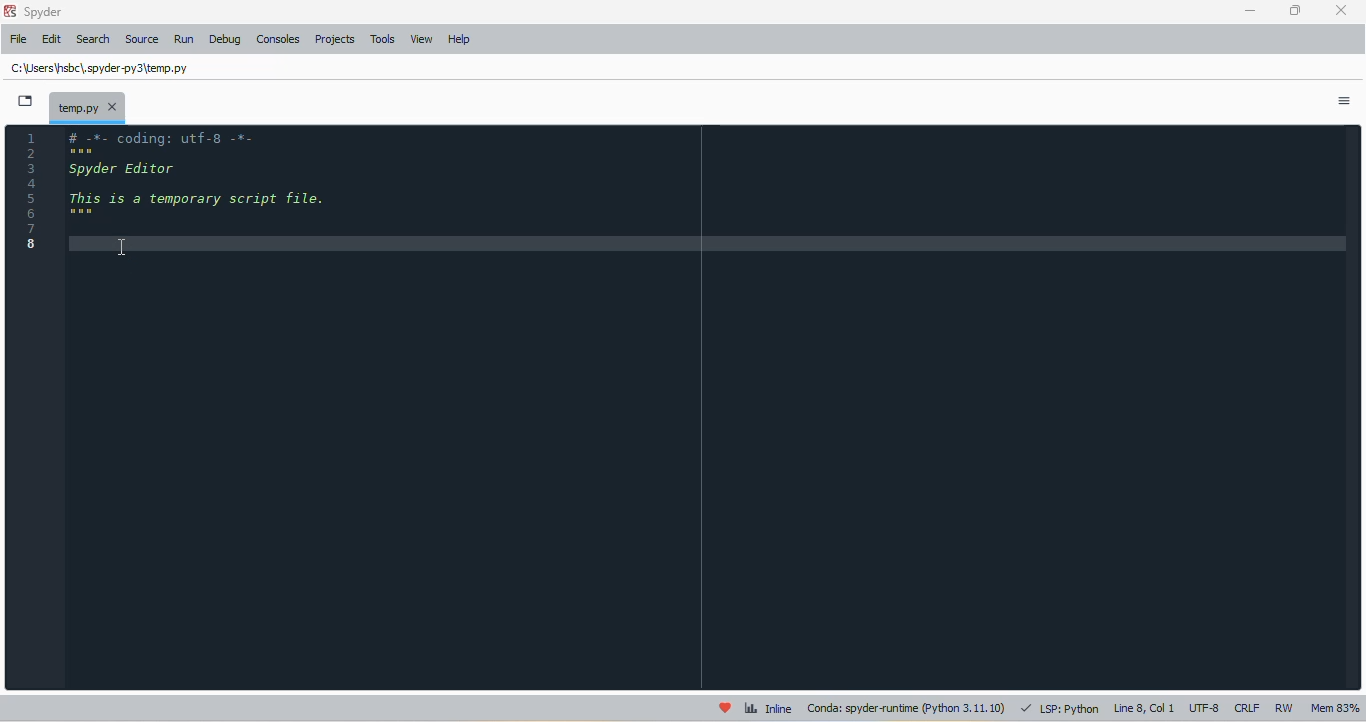 This screenshot has width=1366, height=722. What do you see at coordinates (1287, 708) in the screenshot?
I see `RW` at bounding box center [1287, 708].